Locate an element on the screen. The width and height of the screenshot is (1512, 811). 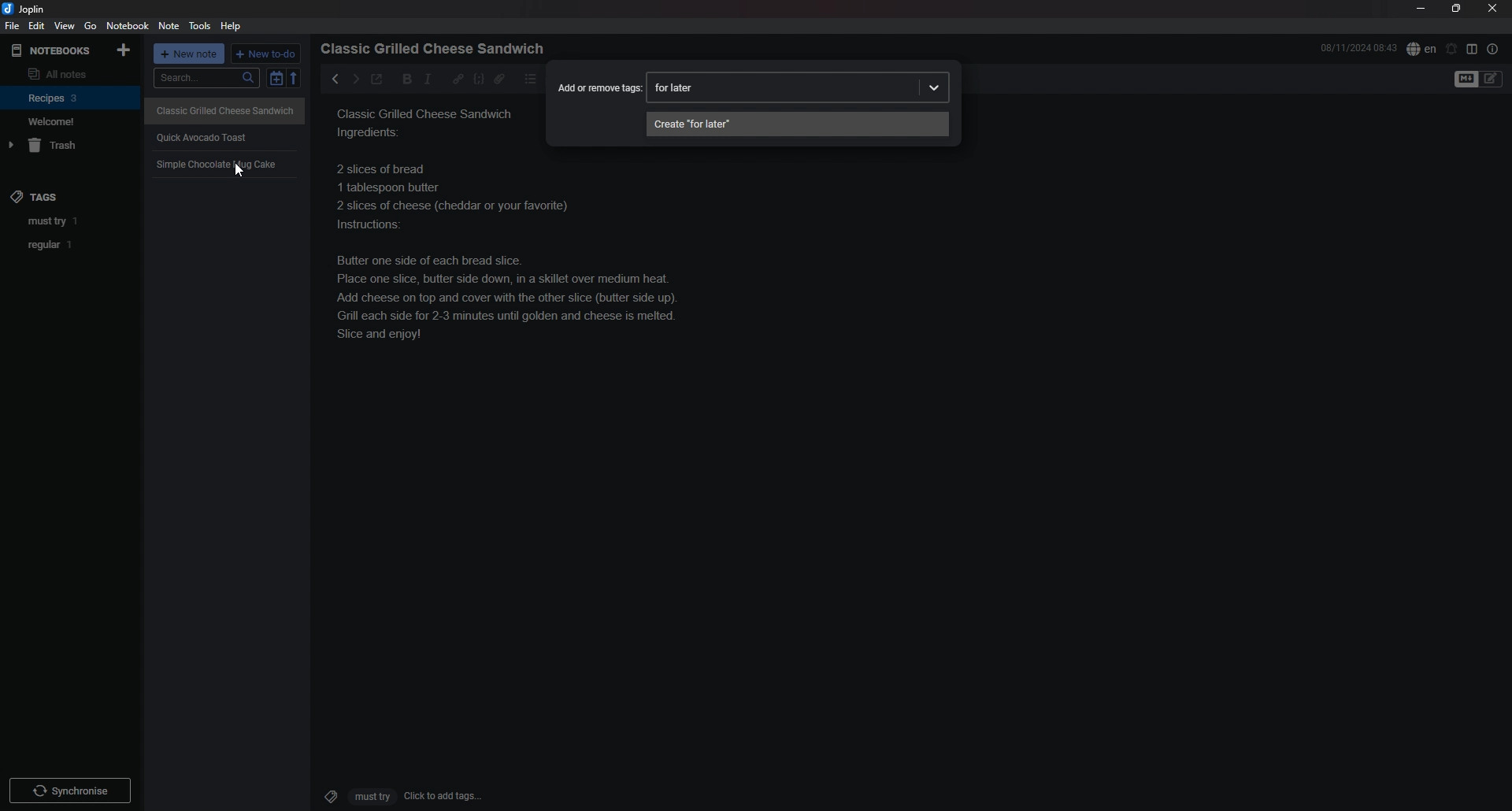
add notebook is located at coordinates (125, 49).